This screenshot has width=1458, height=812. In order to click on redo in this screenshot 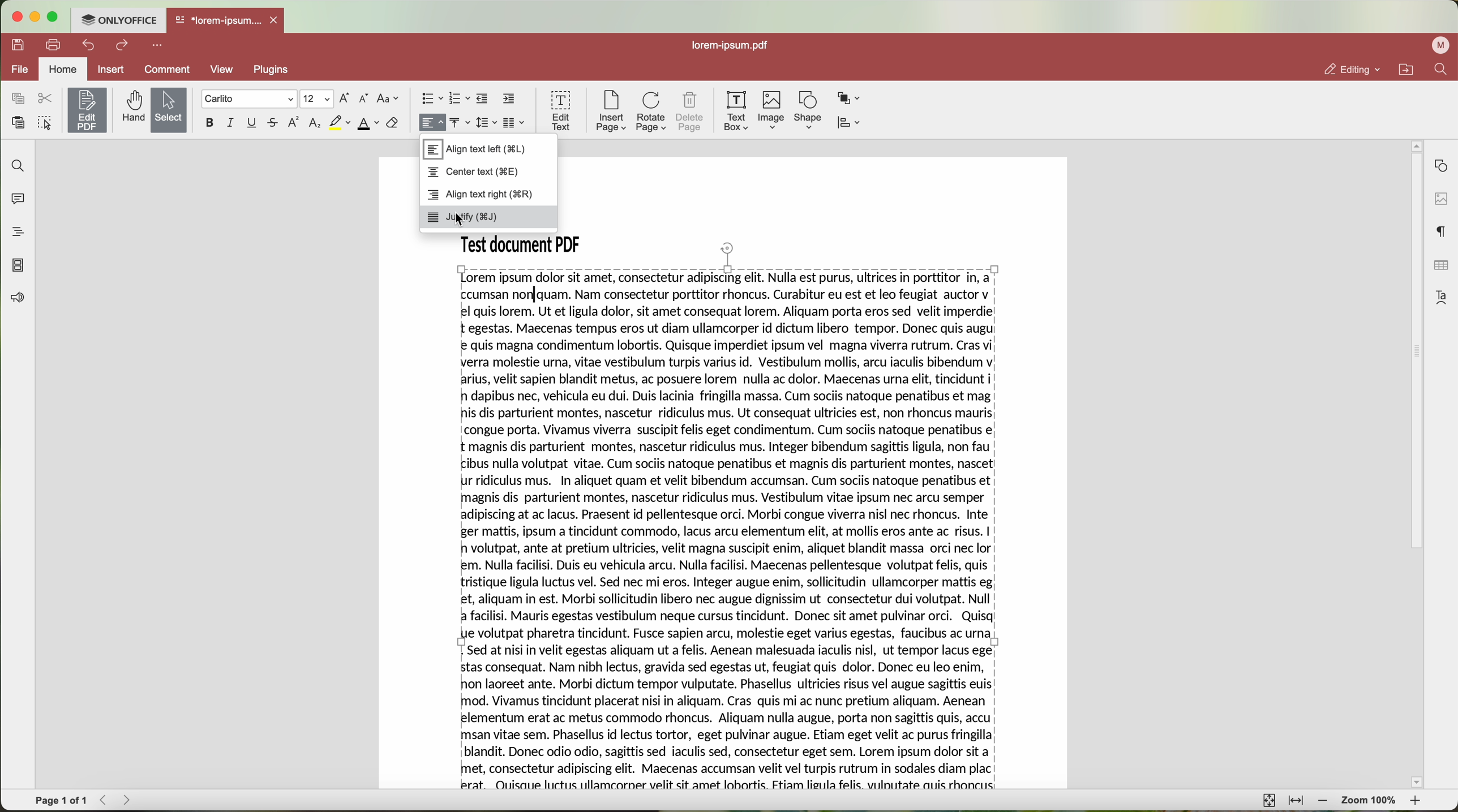, I will do `click(123, 45)`.